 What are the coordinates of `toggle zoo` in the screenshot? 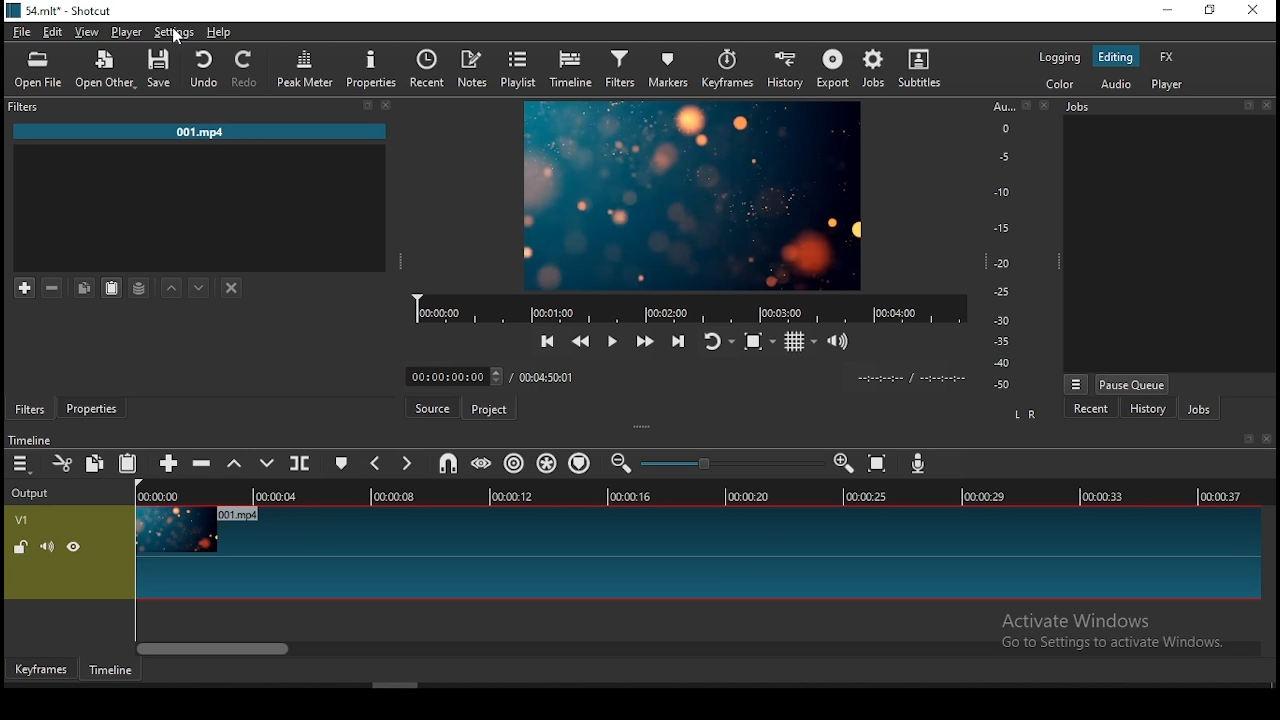 It's located at (759, 340).